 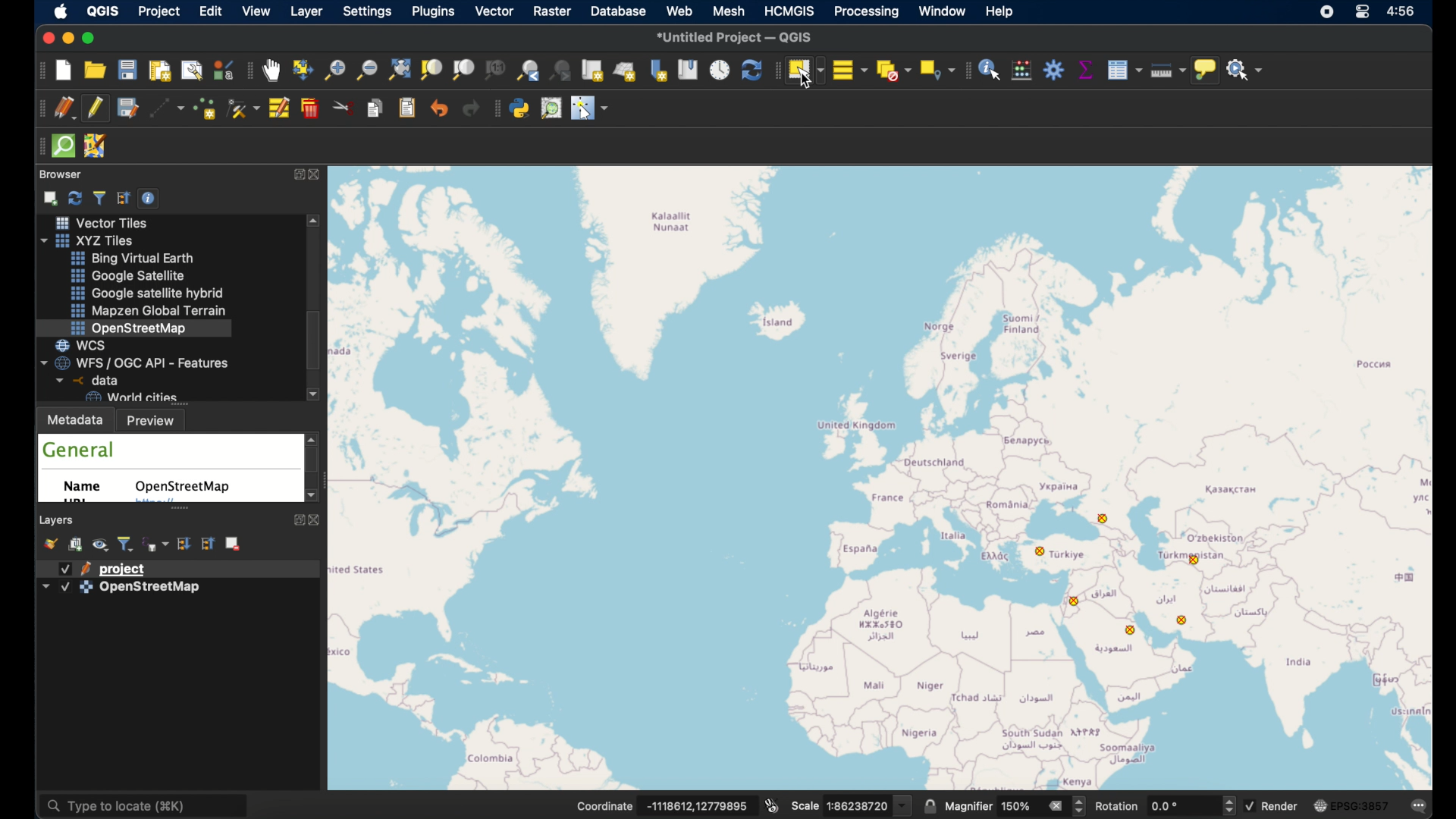 I want to click on magnifier value, so click(x=1016, y=805).